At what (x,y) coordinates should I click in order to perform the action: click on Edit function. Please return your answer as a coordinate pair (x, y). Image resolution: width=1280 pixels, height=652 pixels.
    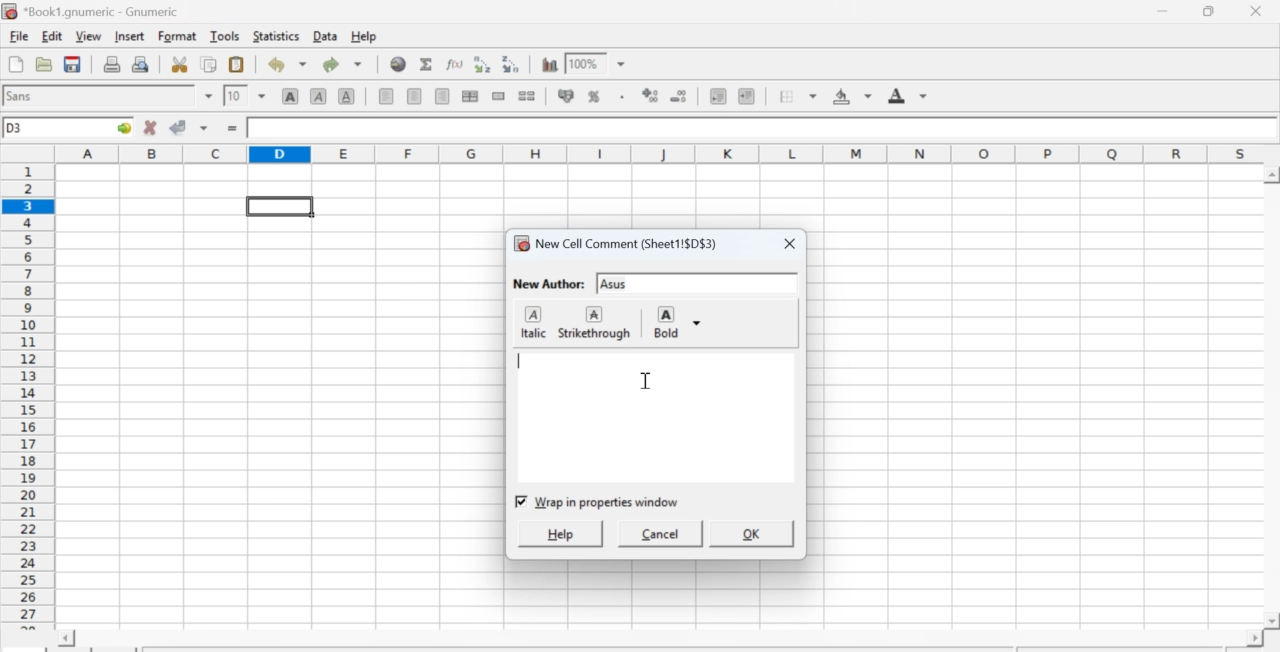
    Looking at the image, I should click on (454, 67).